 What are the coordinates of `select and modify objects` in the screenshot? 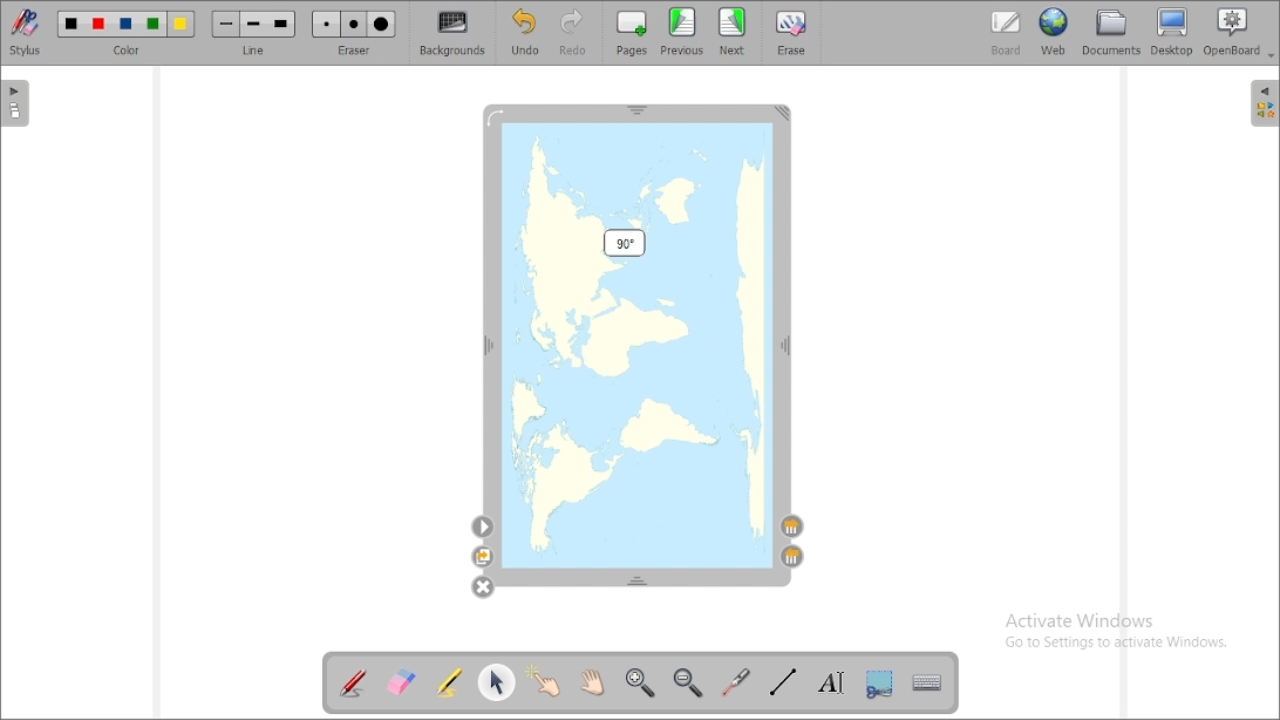 It's located at (497, 682).